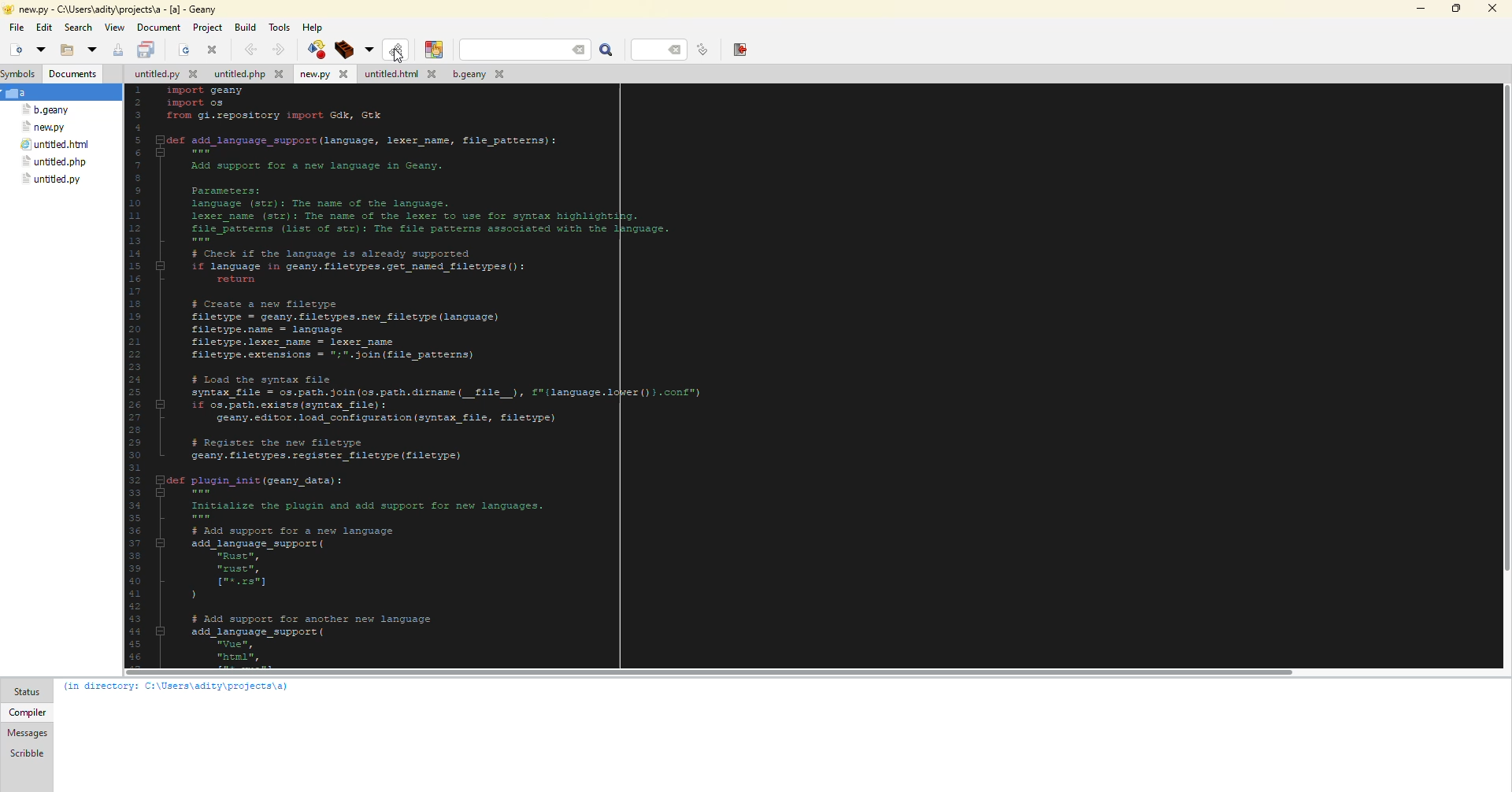 The width and height of the screenshot is (1512, 792). Describe the element at coordinates (474, 75) in the screenshot. I see `file` at that location.